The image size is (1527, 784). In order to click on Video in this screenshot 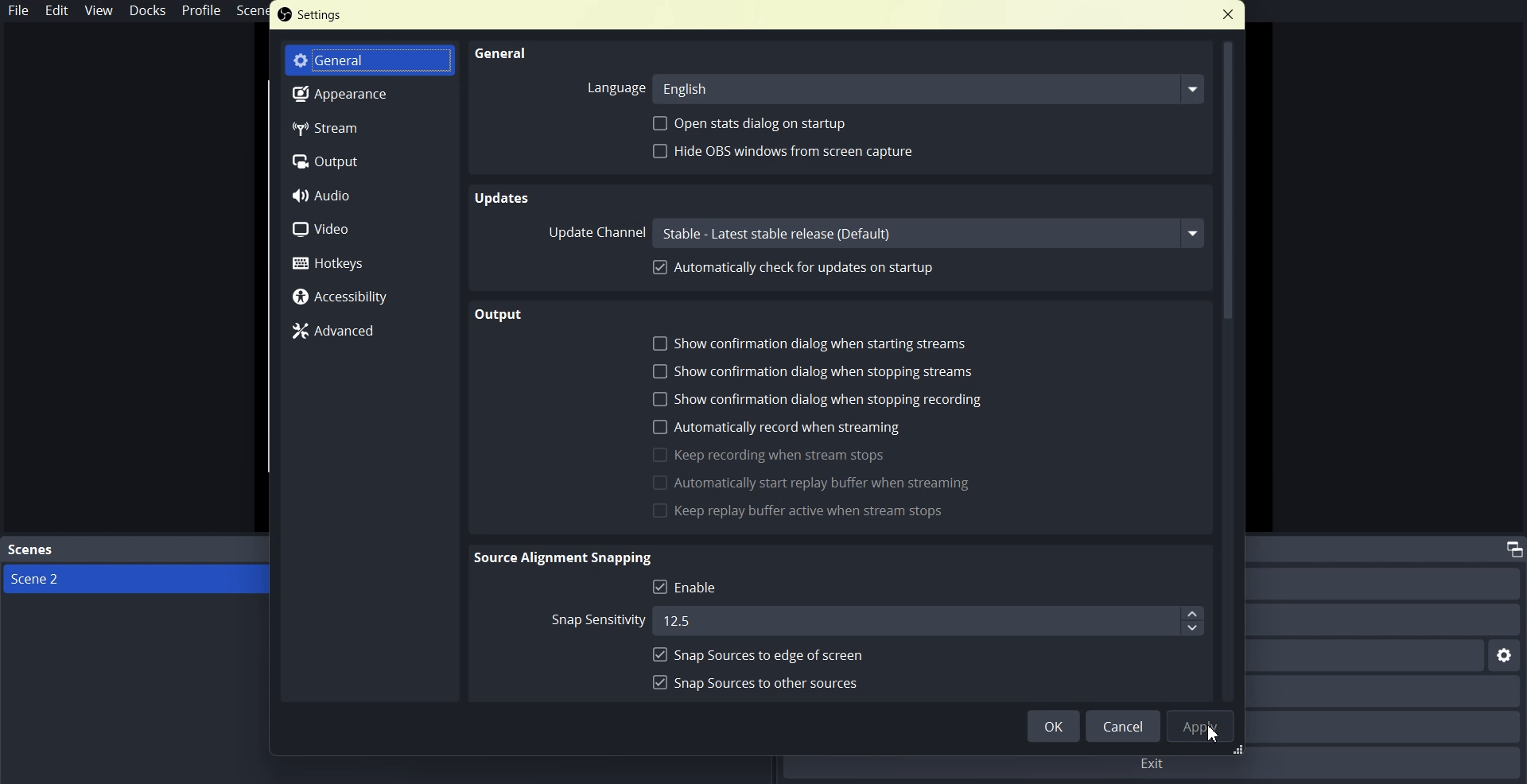, I will do `click(368, 226)`.